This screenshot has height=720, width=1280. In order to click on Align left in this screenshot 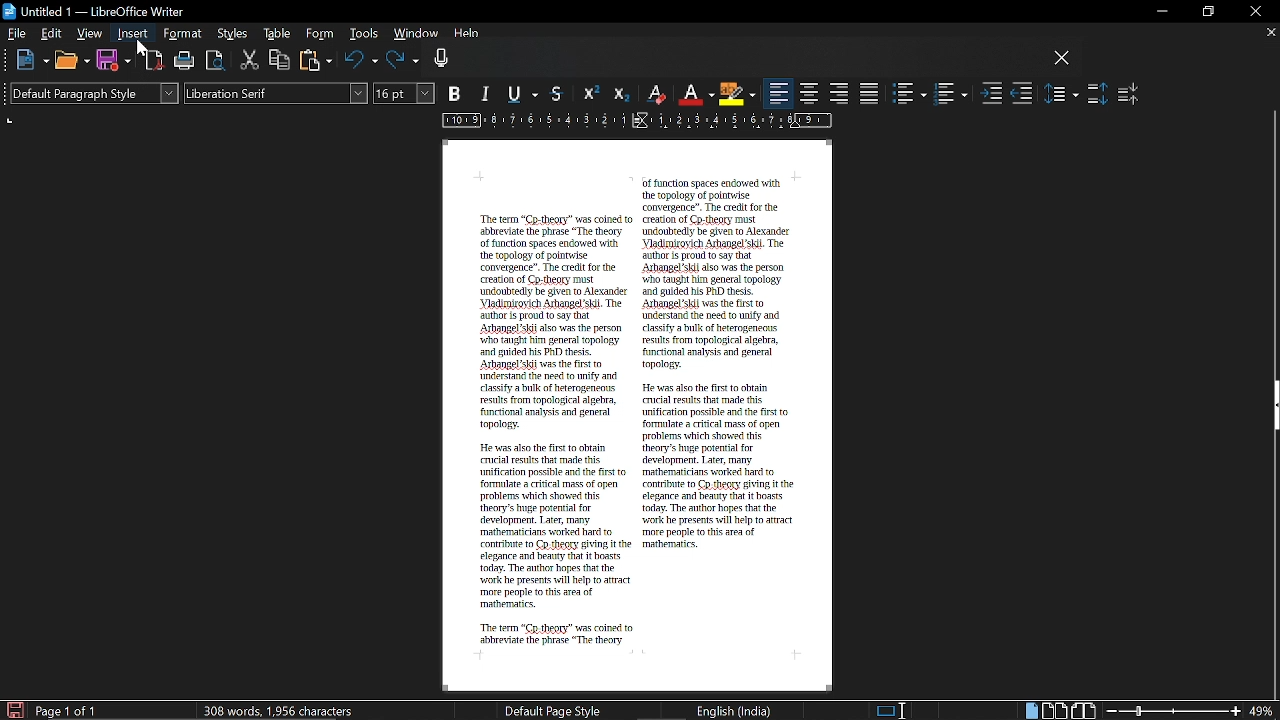, I will do `click(779, 94)`.